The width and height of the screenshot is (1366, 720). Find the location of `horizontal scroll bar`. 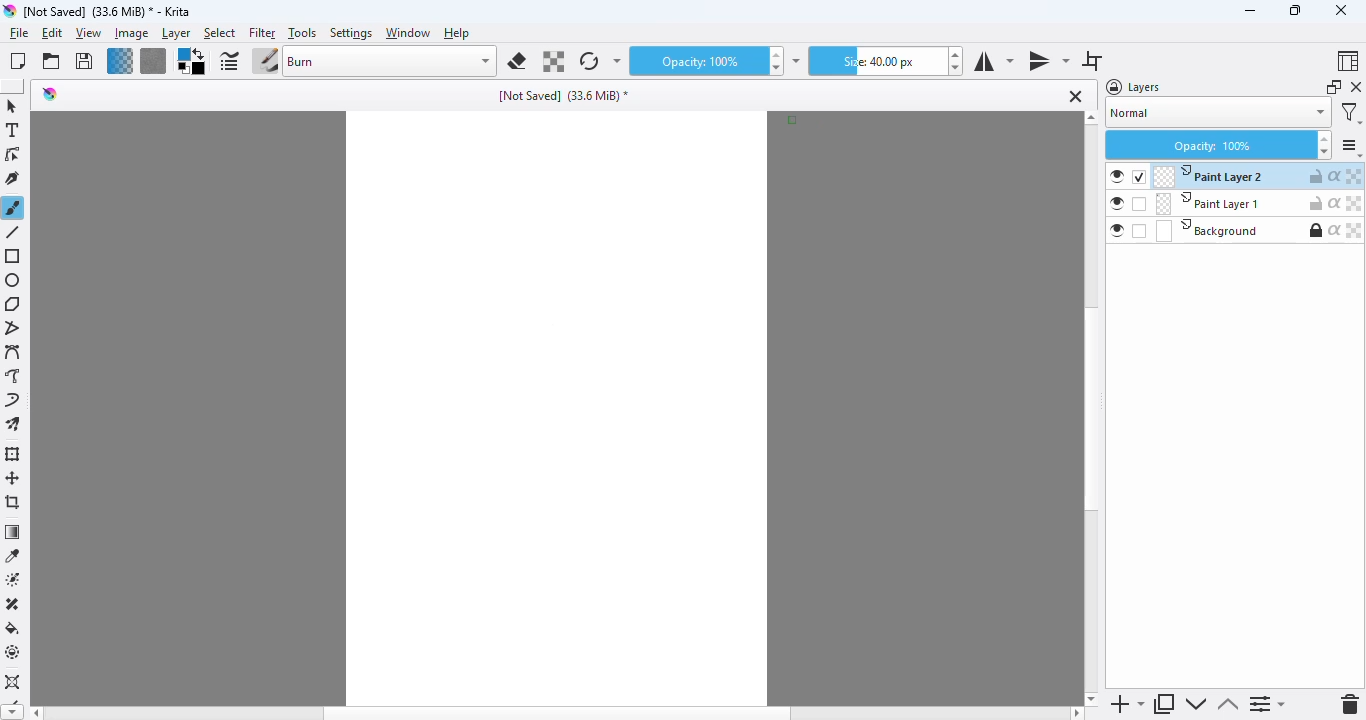

horizontal scroll bar is located at coordinates (557, 713).